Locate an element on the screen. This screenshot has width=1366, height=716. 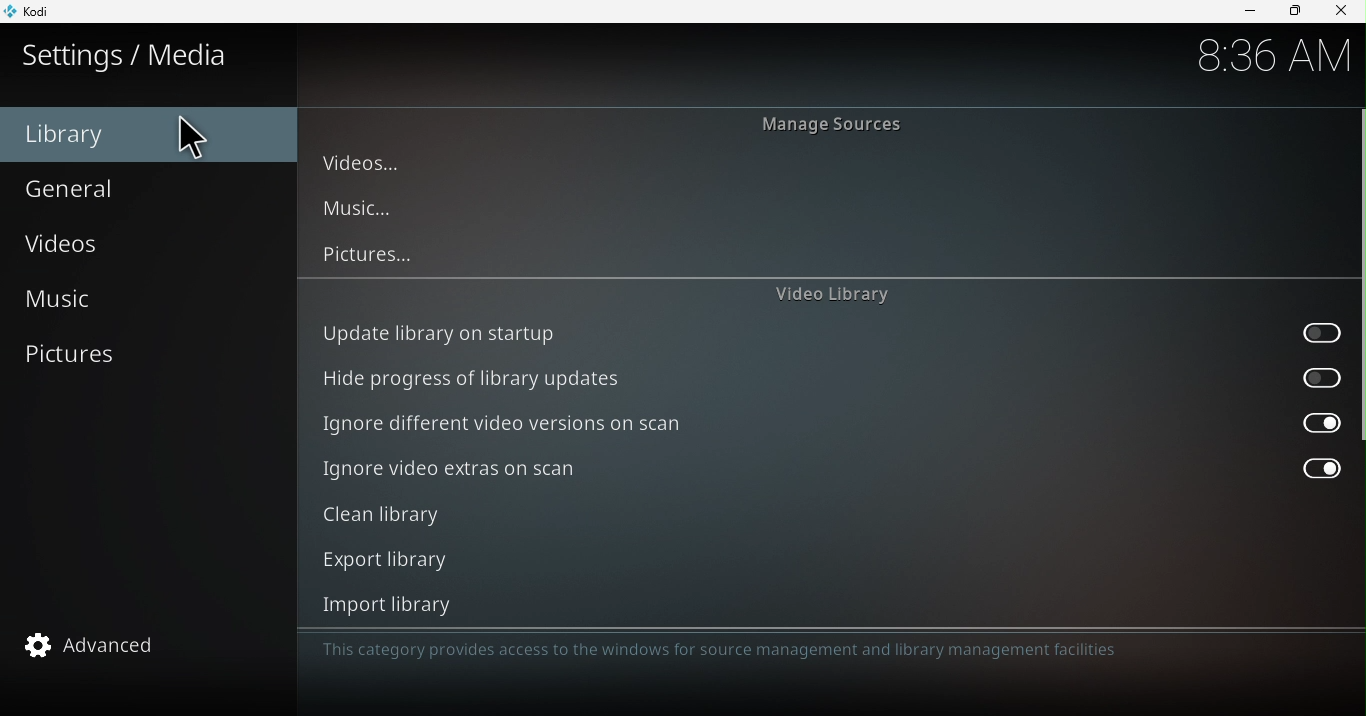
Import library is located at coordinates (820, 604).